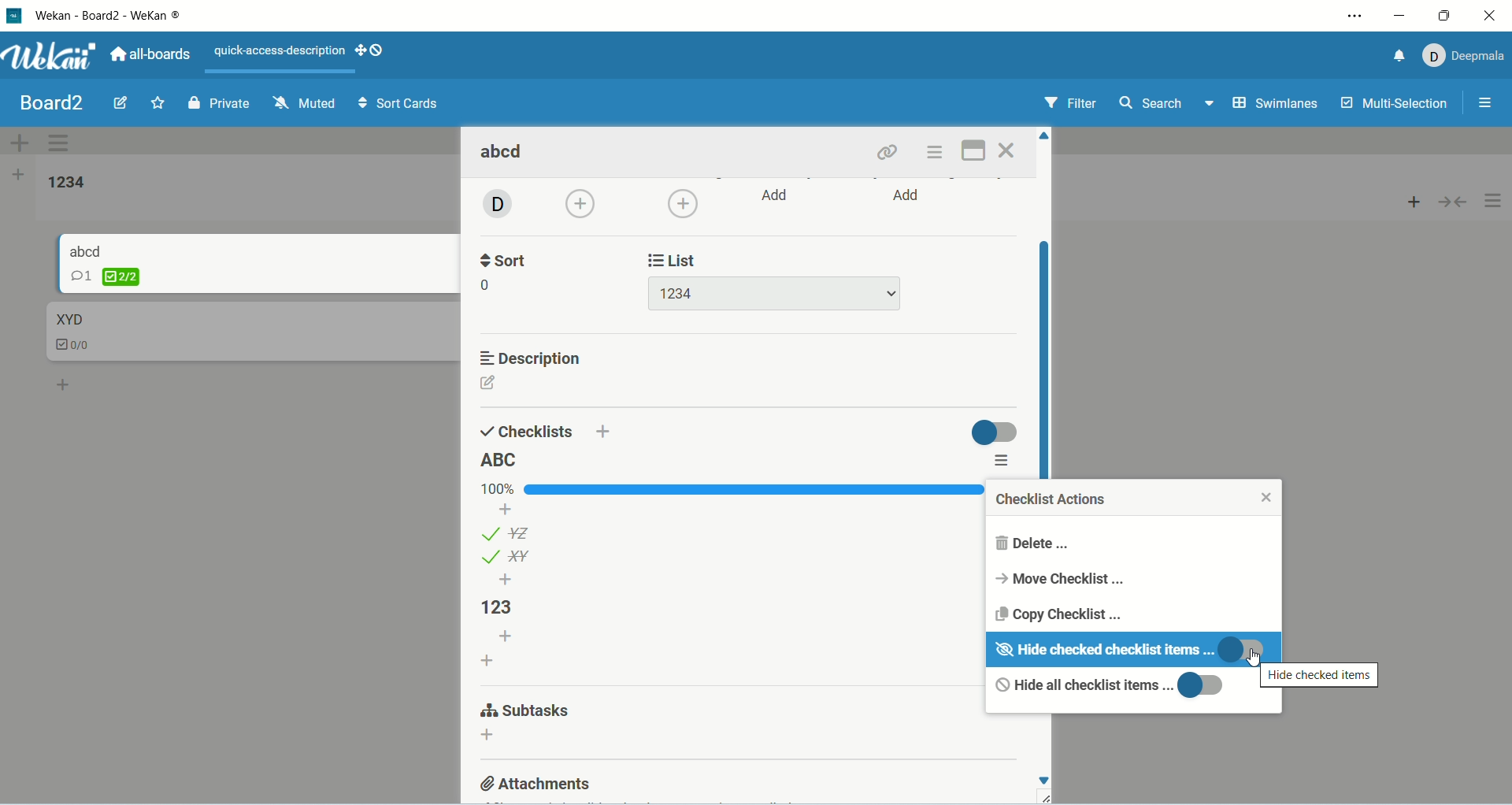 The width and height of the screenshot is (1512, 805). Describe the element at coordinates (508, 607) in the screenshot. I see `list title` at that location.